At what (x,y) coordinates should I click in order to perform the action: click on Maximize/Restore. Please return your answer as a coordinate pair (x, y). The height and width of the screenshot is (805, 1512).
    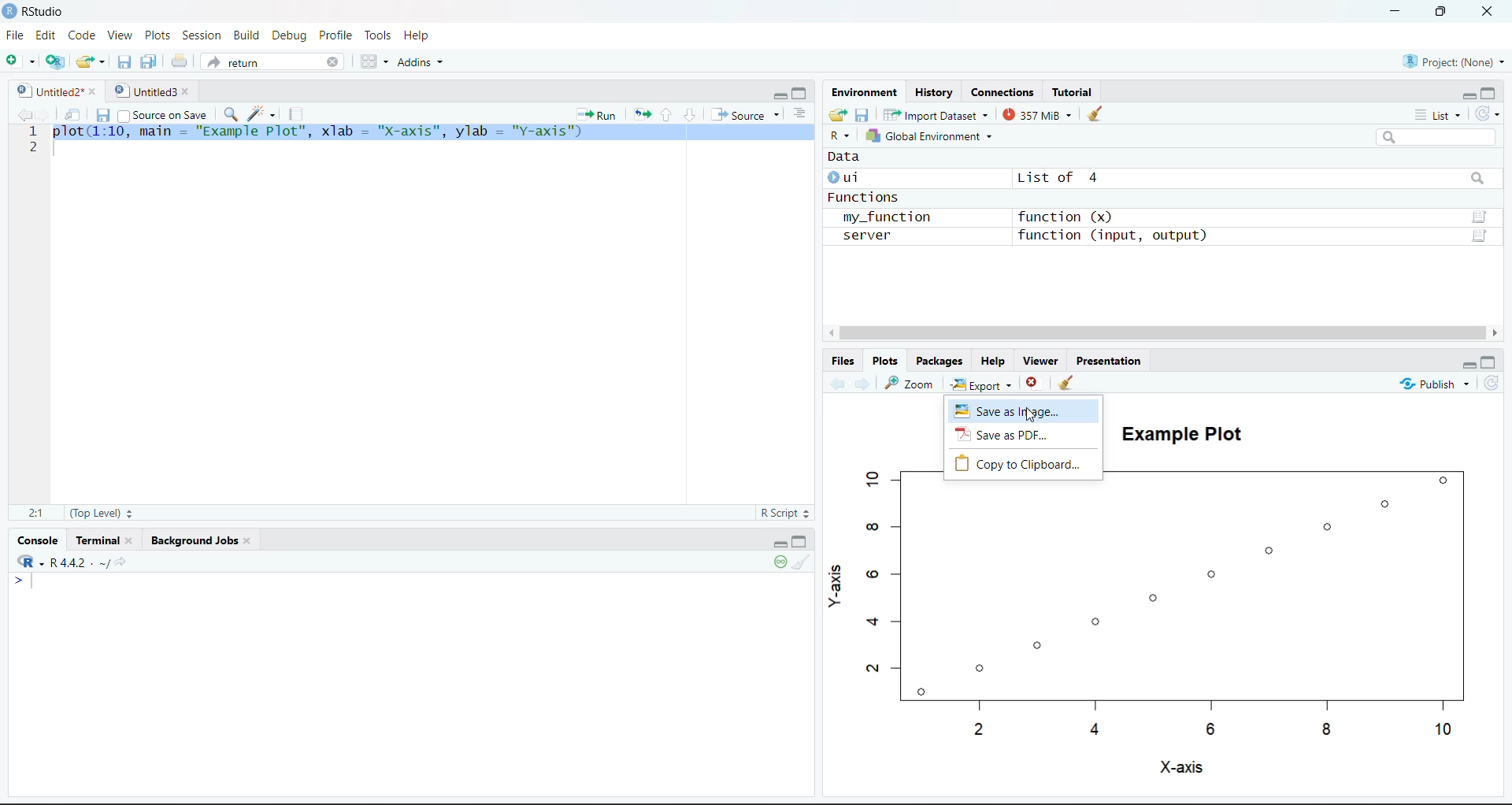
    Looking at the image, I should click on (1491, 362).